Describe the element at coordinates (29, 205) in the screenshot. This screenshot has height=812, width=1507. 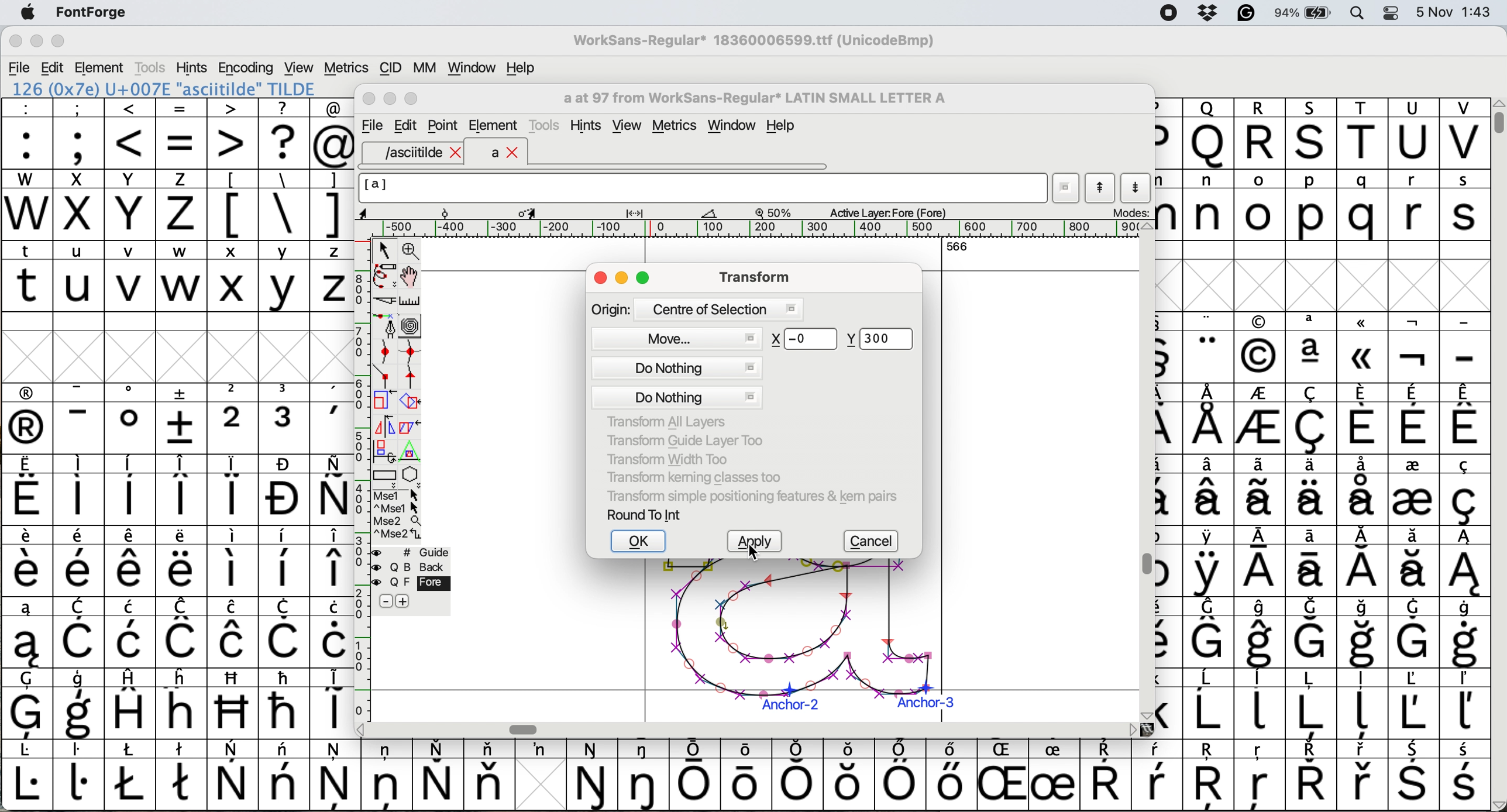
I see `W` at that location.